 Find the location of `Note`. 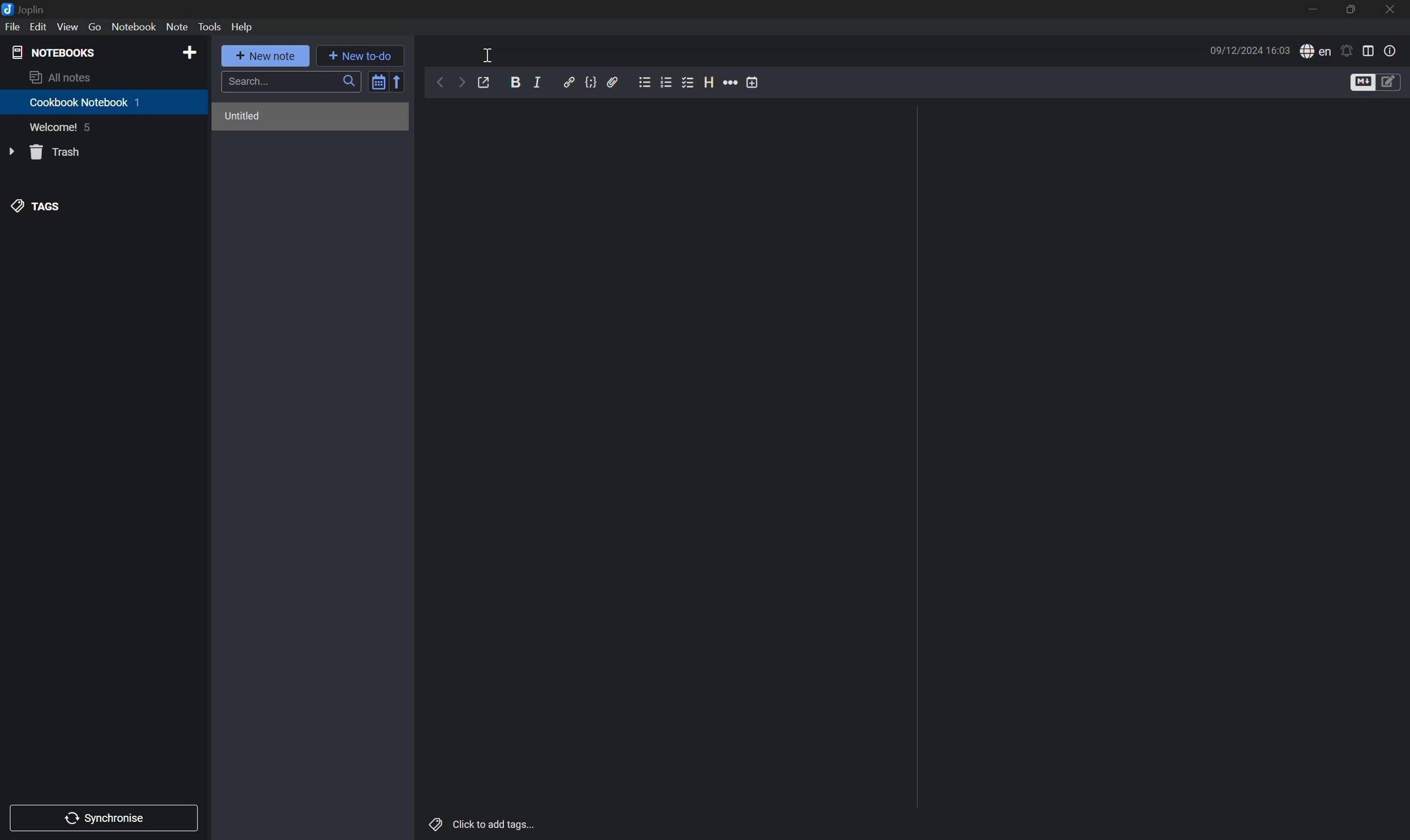

Note is located at coordinates (177, 26).